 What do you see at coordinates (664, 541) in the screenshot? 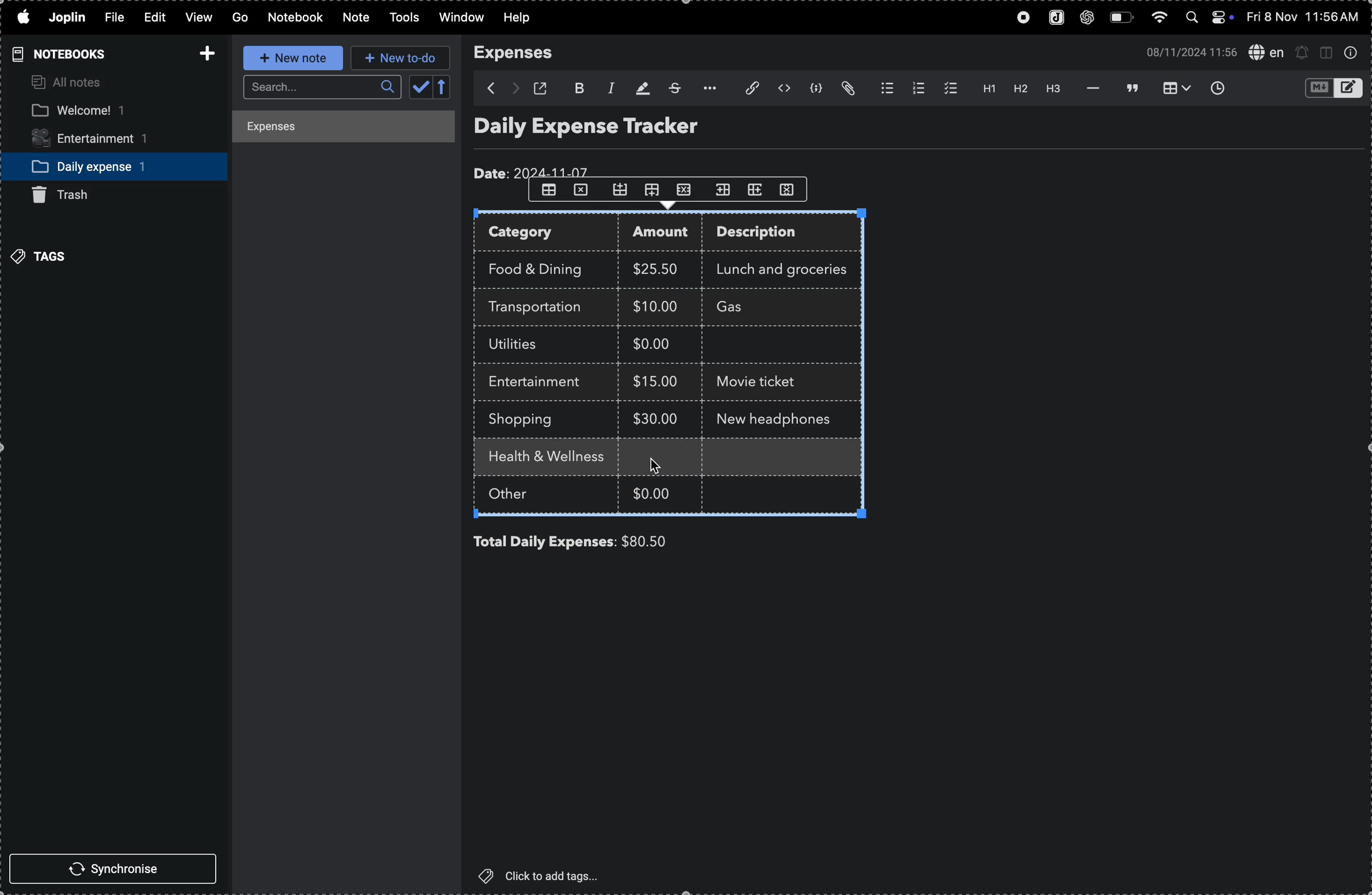
I see `$80.00` at bounding box center [664, 541].